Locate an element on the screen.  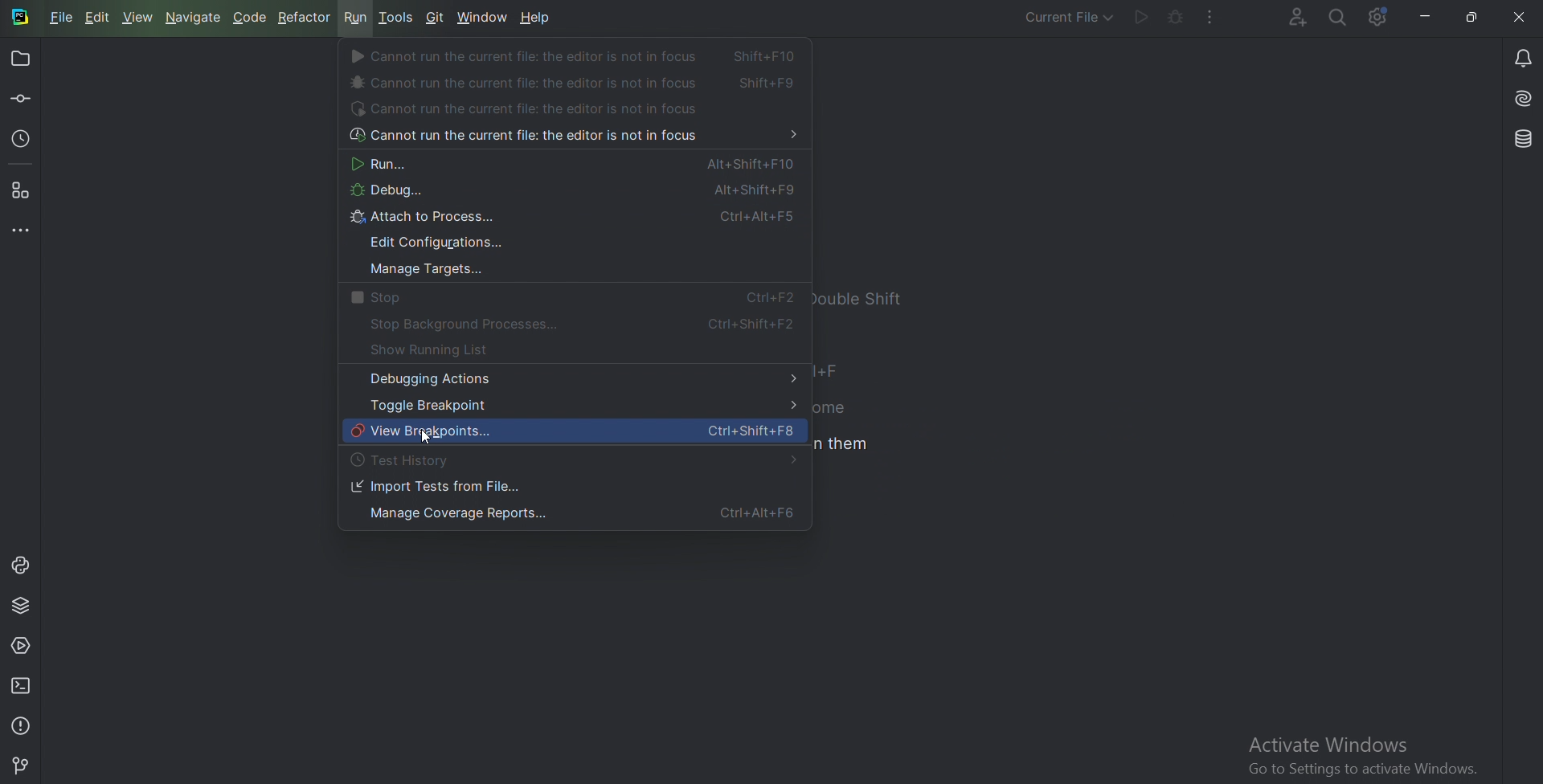
Stop is located at coordinates (567, 299).